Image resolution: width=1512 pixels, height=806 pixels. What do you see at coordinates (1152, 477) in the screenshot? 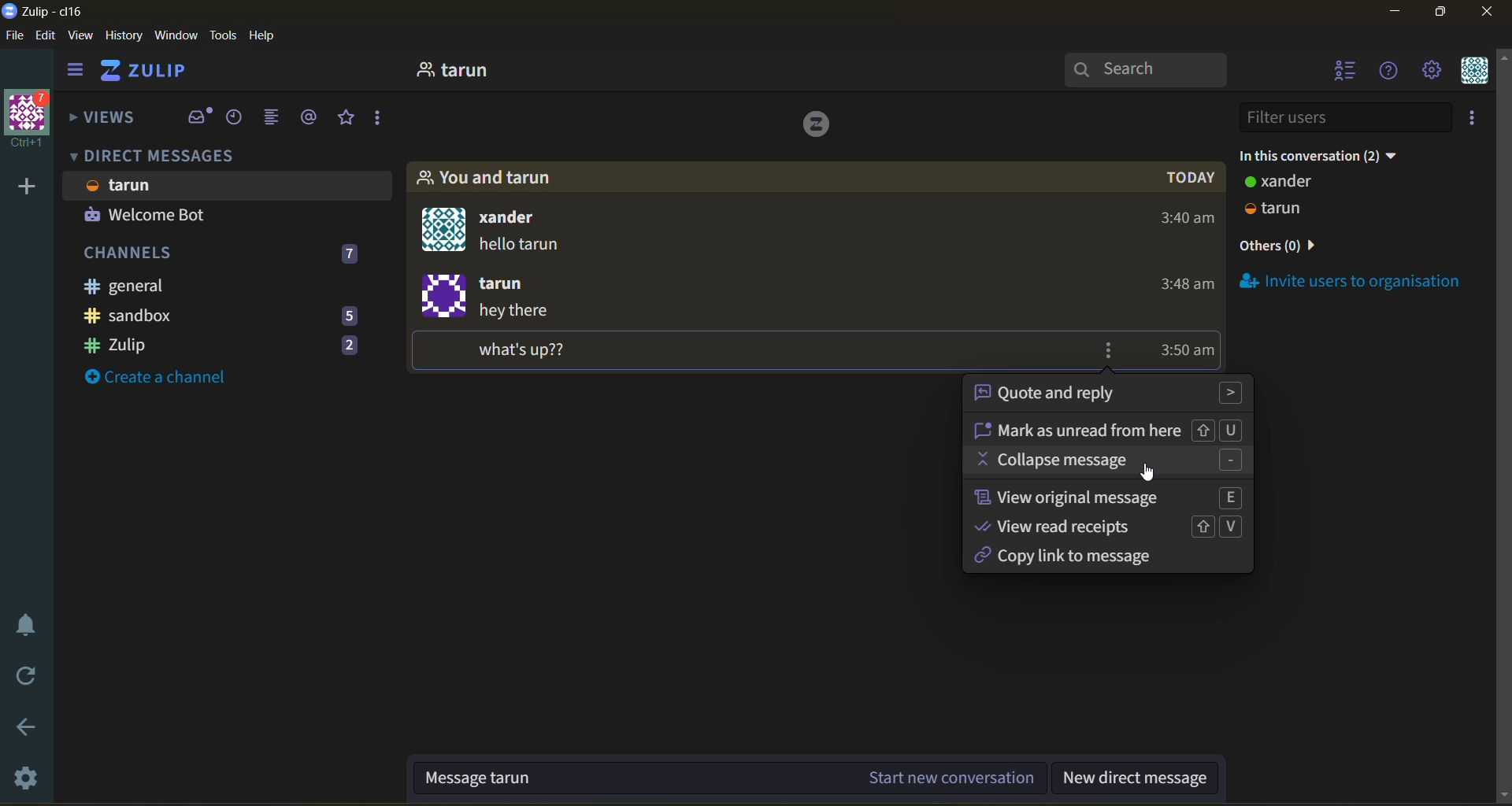
I see `cursor` at bounding box center [1152, 477].